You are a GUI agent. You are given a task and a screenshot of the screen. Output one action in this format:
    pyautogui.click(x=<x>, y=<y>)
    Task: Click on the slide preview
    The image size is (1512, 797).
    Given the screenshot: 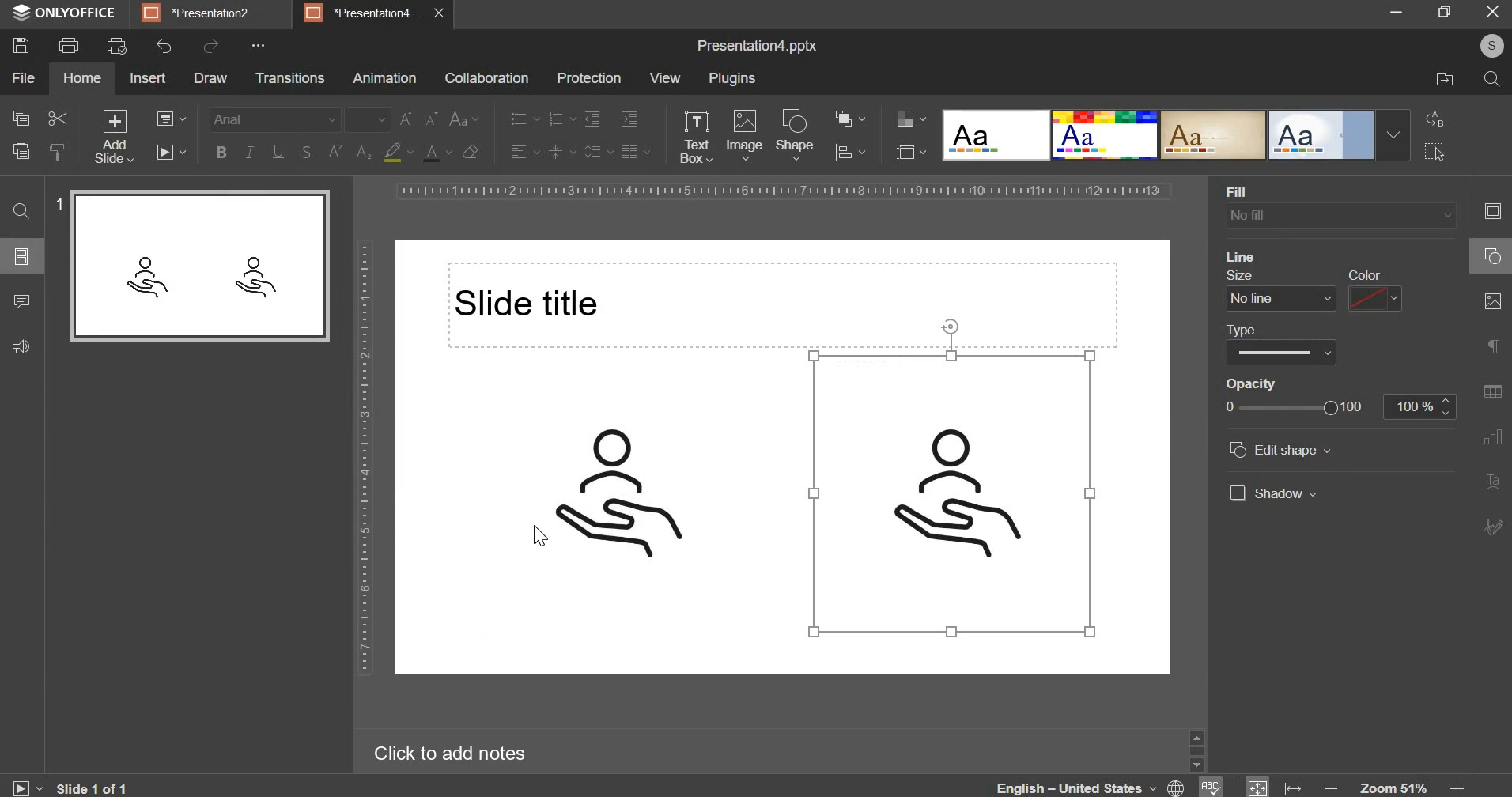 What is the action you would take?
    pyautogui.click(x=198, y=266)
    